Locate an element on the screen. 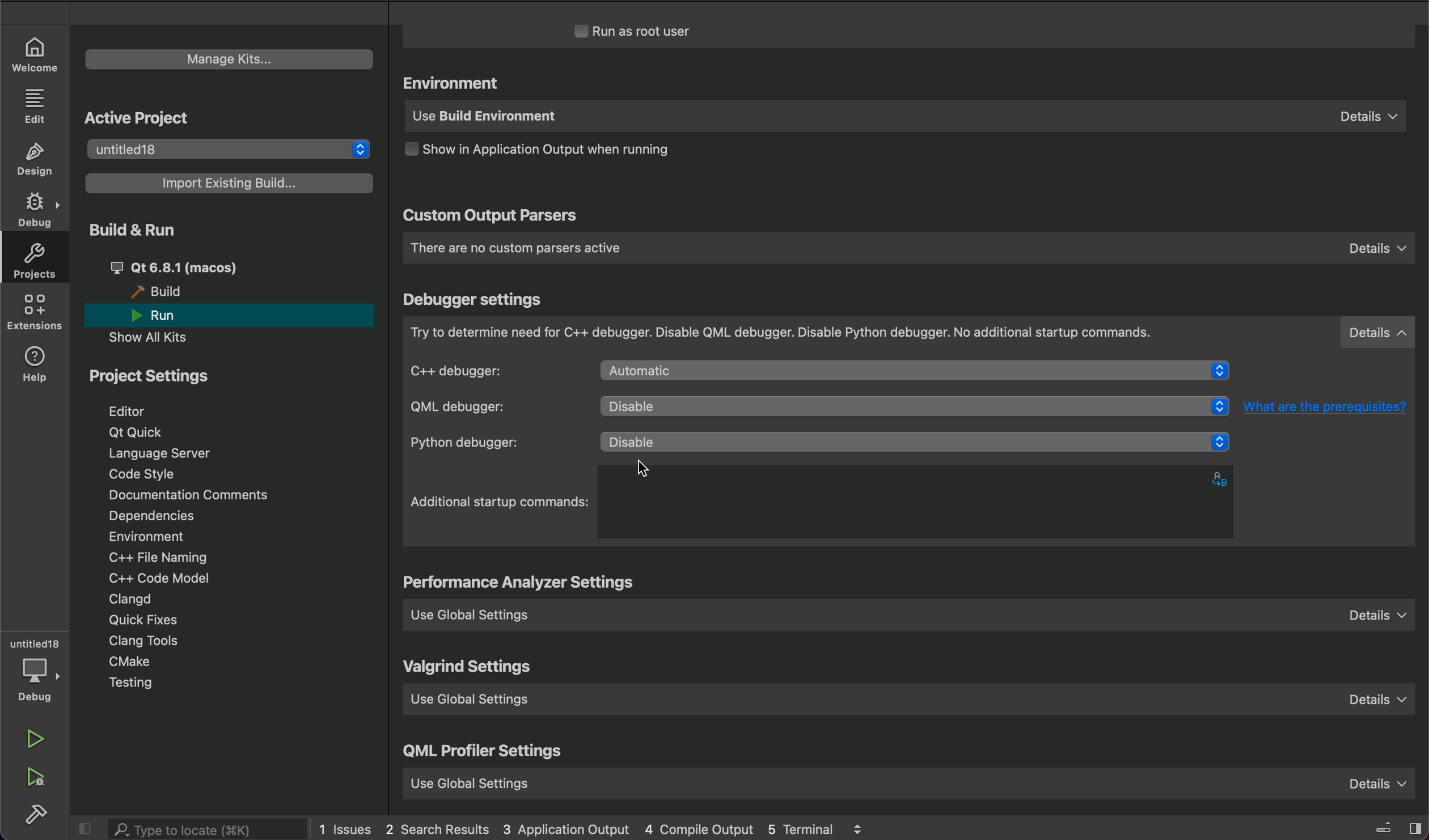  disabled is located at coordinates (914, 408).